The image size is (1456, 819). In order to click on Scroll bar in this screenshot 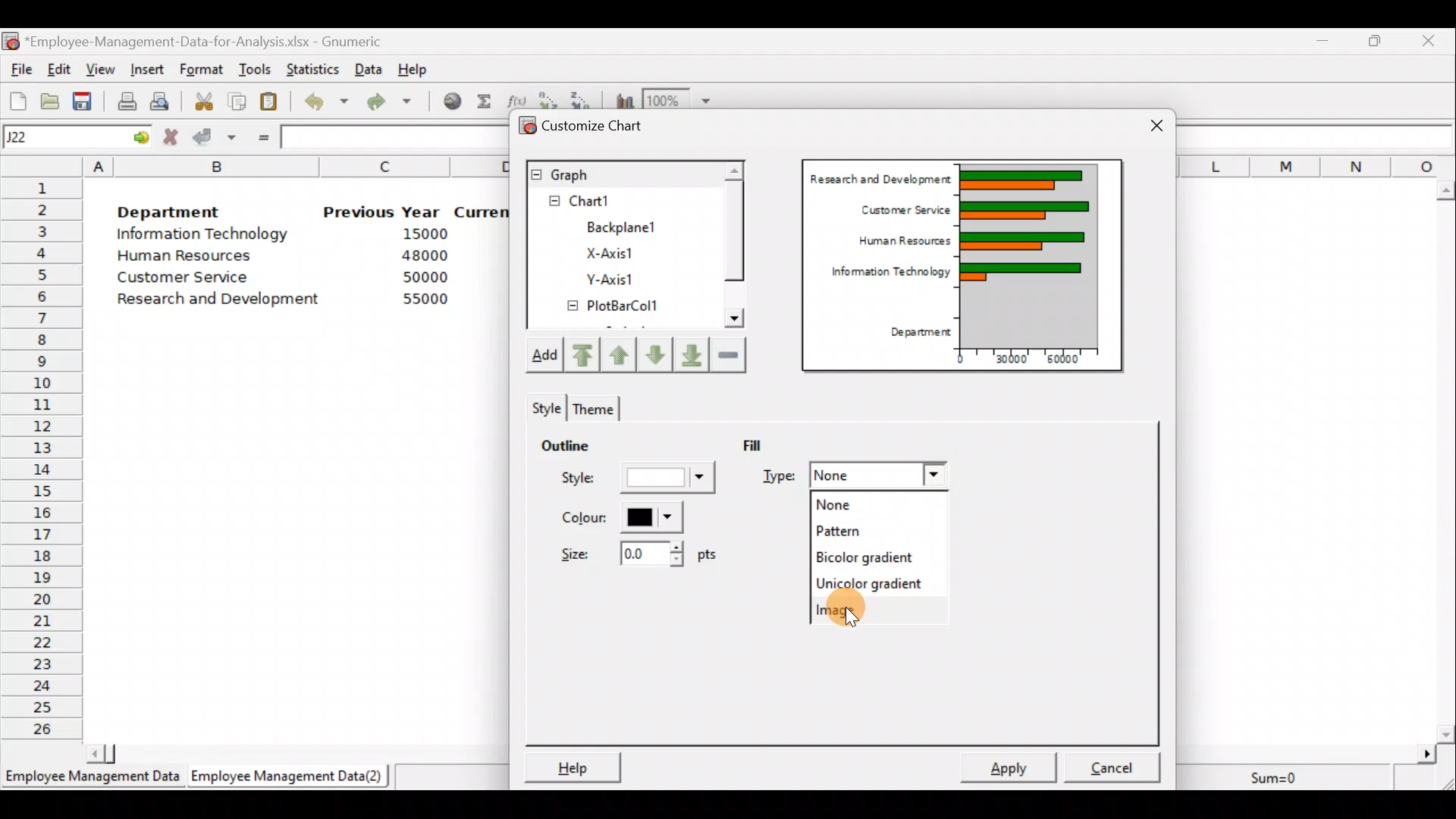, I will do `click(1447, 457)`.